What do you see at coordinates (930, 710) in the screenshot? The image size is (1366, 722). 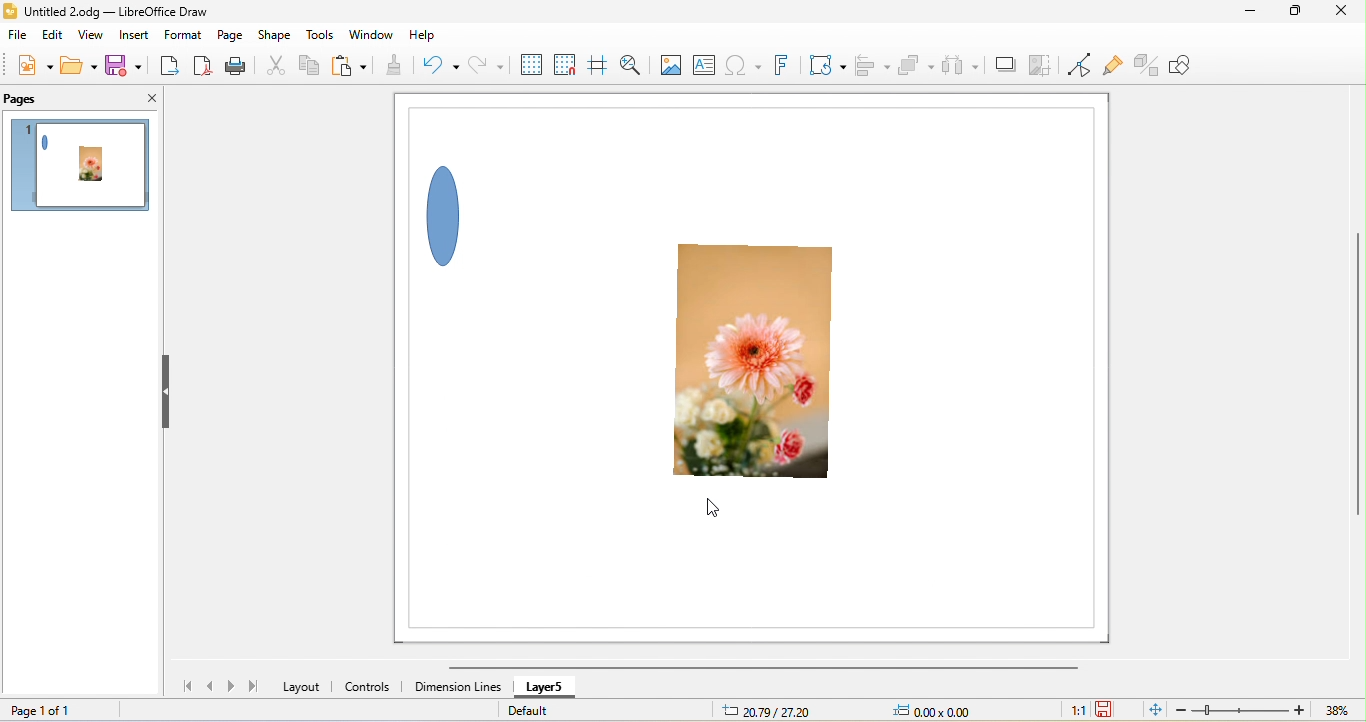 I see `0.00x0.00` at bounding box center [930, 710].